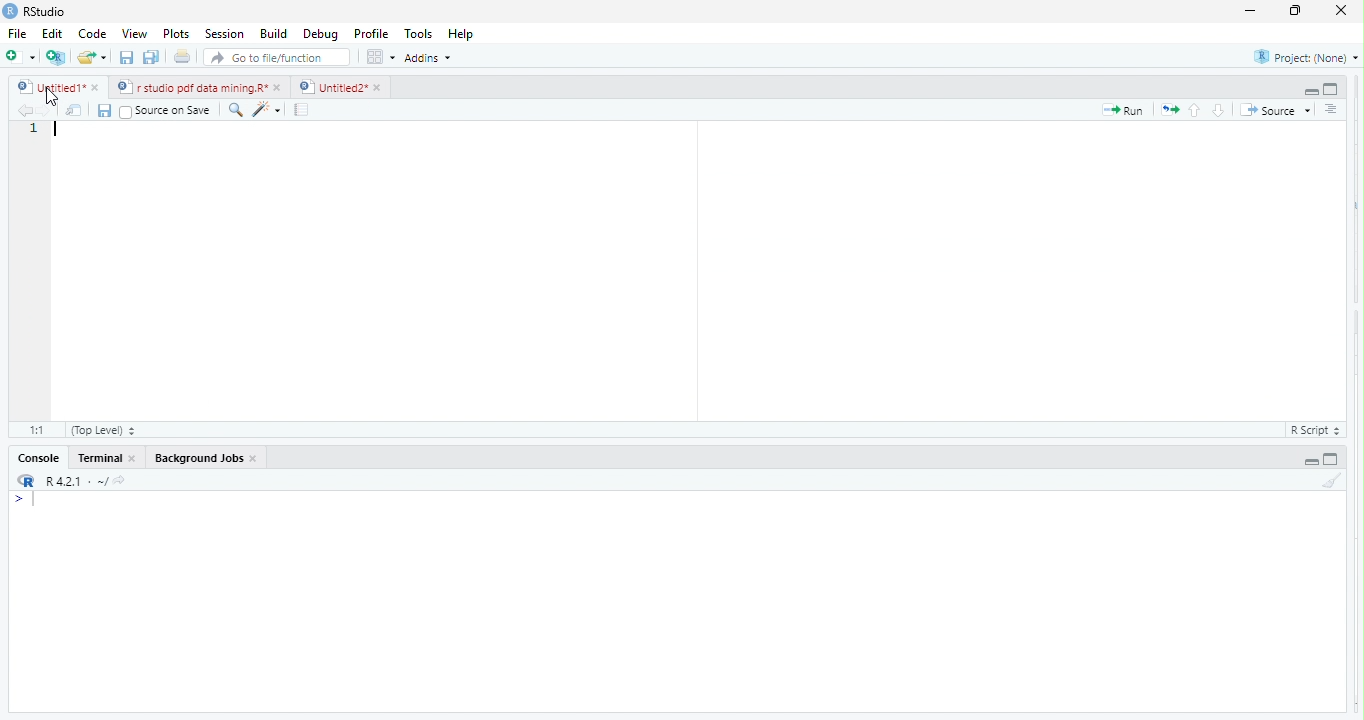 The width and height of the screenshot is (1364, 720). I want to click on Build, so click(274, 34).